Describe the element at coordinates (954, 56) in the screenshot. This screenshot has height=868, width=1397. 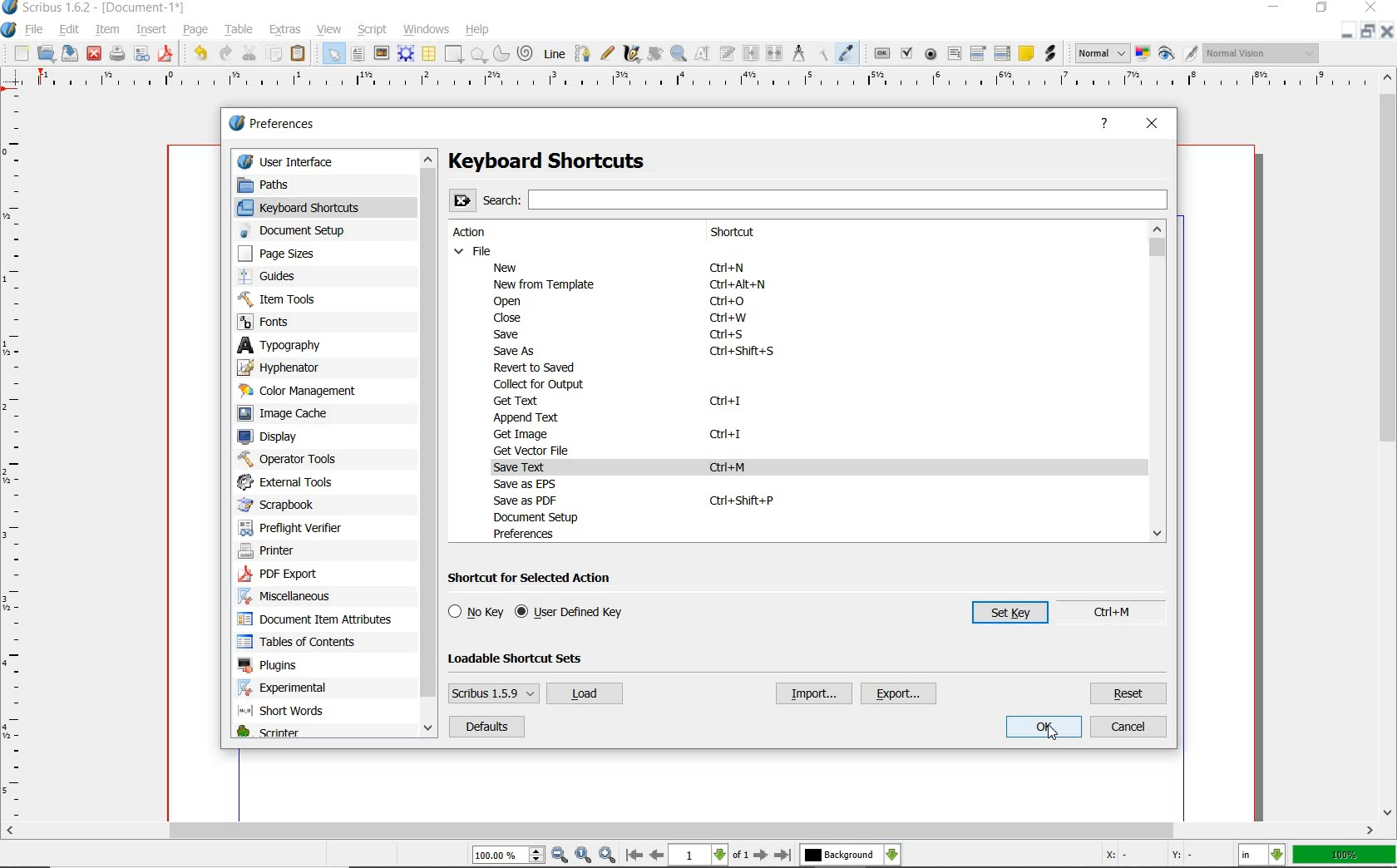
I see `pdf text field` at that location.